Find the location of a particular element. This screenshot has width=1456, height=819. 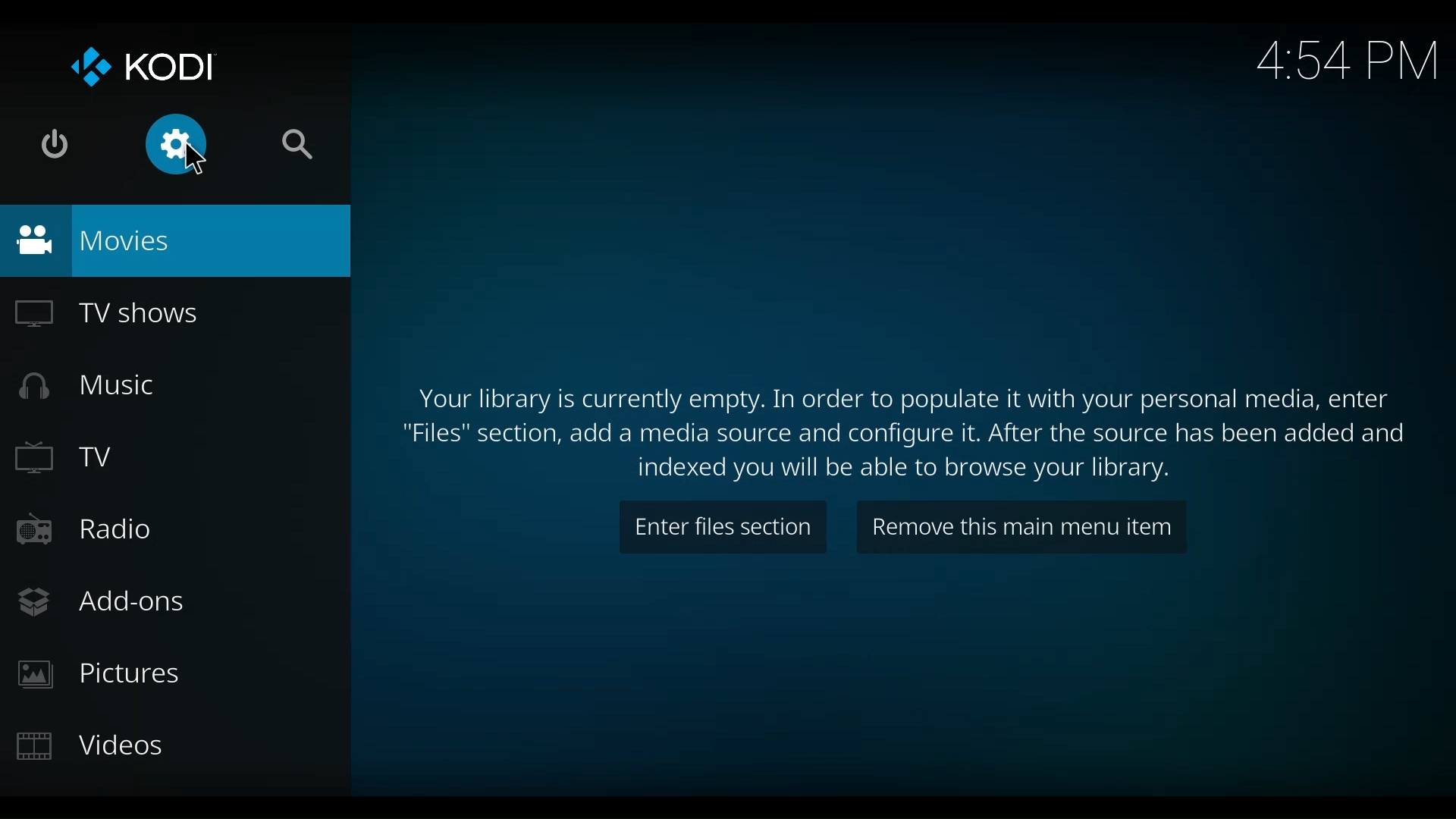

Kodi is located at coordinates (139, 67).